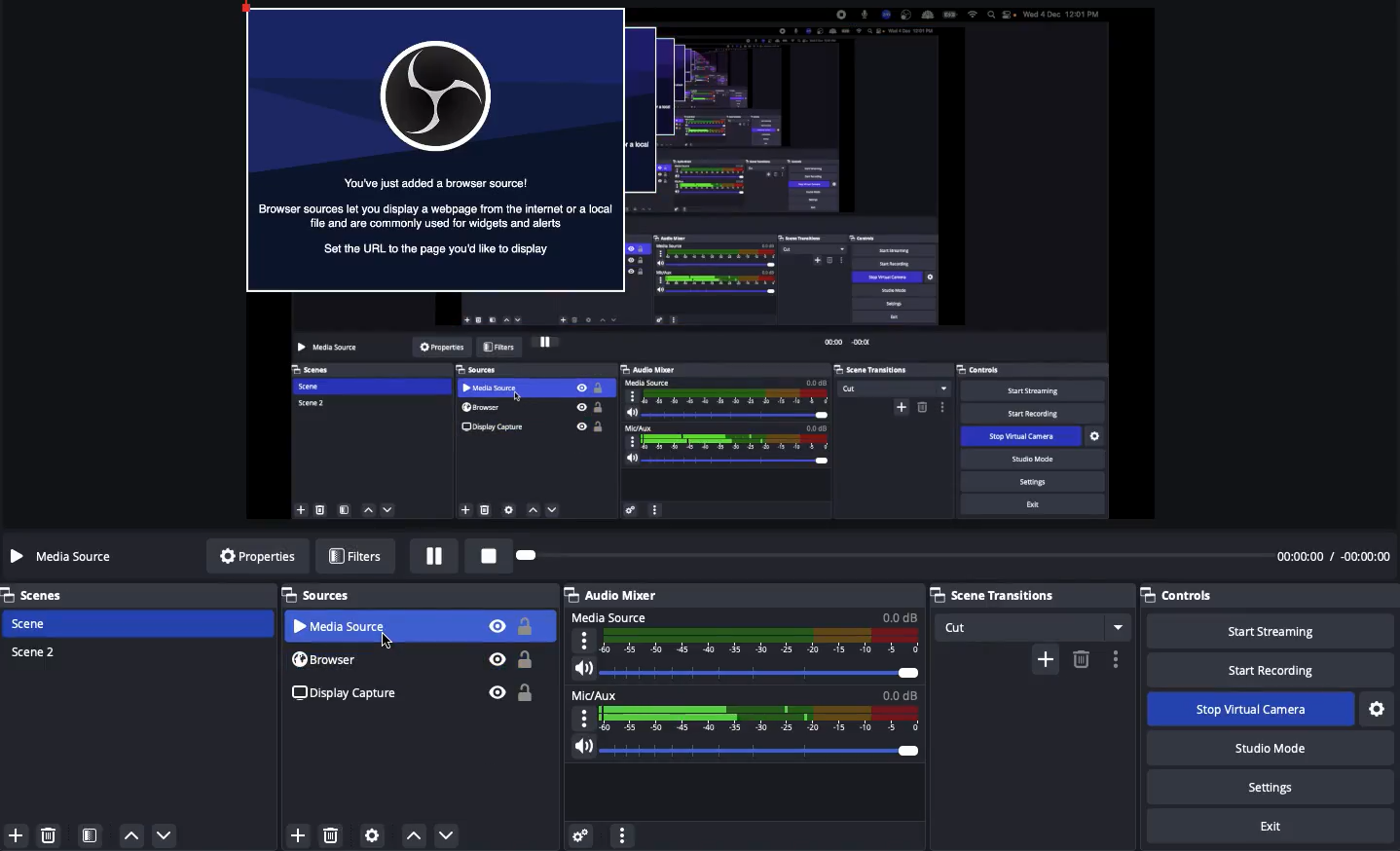 The image size is (1400, 851). I want to click on Unlock, so click(529, 660).